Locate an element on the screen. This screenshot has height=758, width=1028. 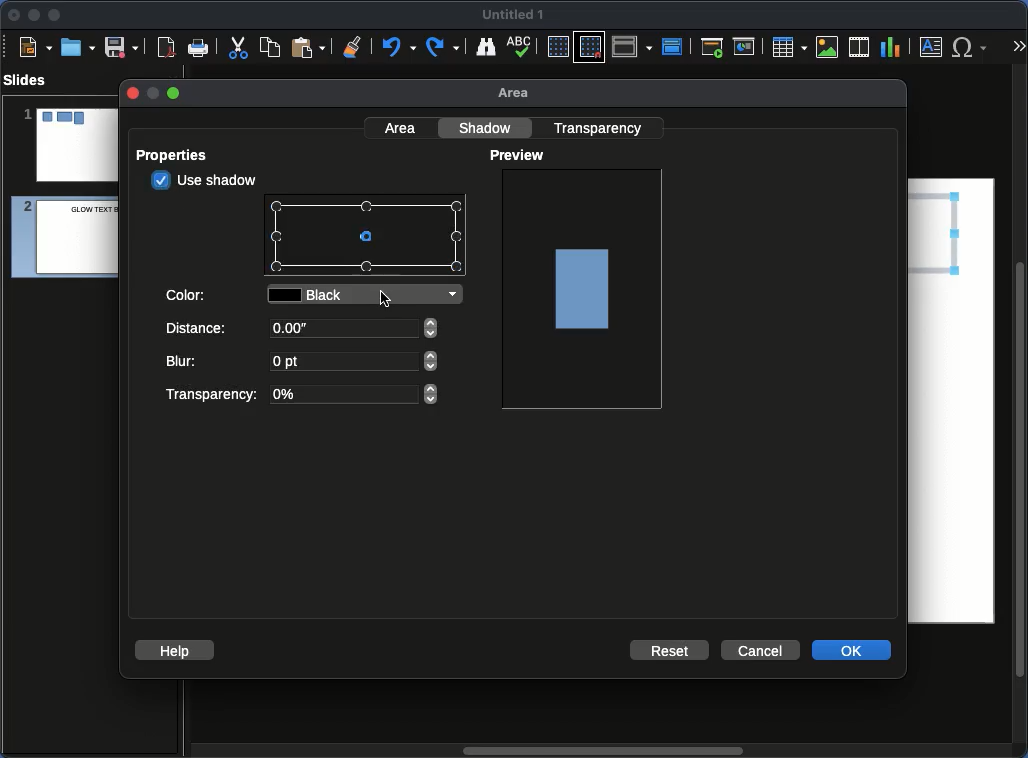
Audio or video is located at coordinates (860, 47).